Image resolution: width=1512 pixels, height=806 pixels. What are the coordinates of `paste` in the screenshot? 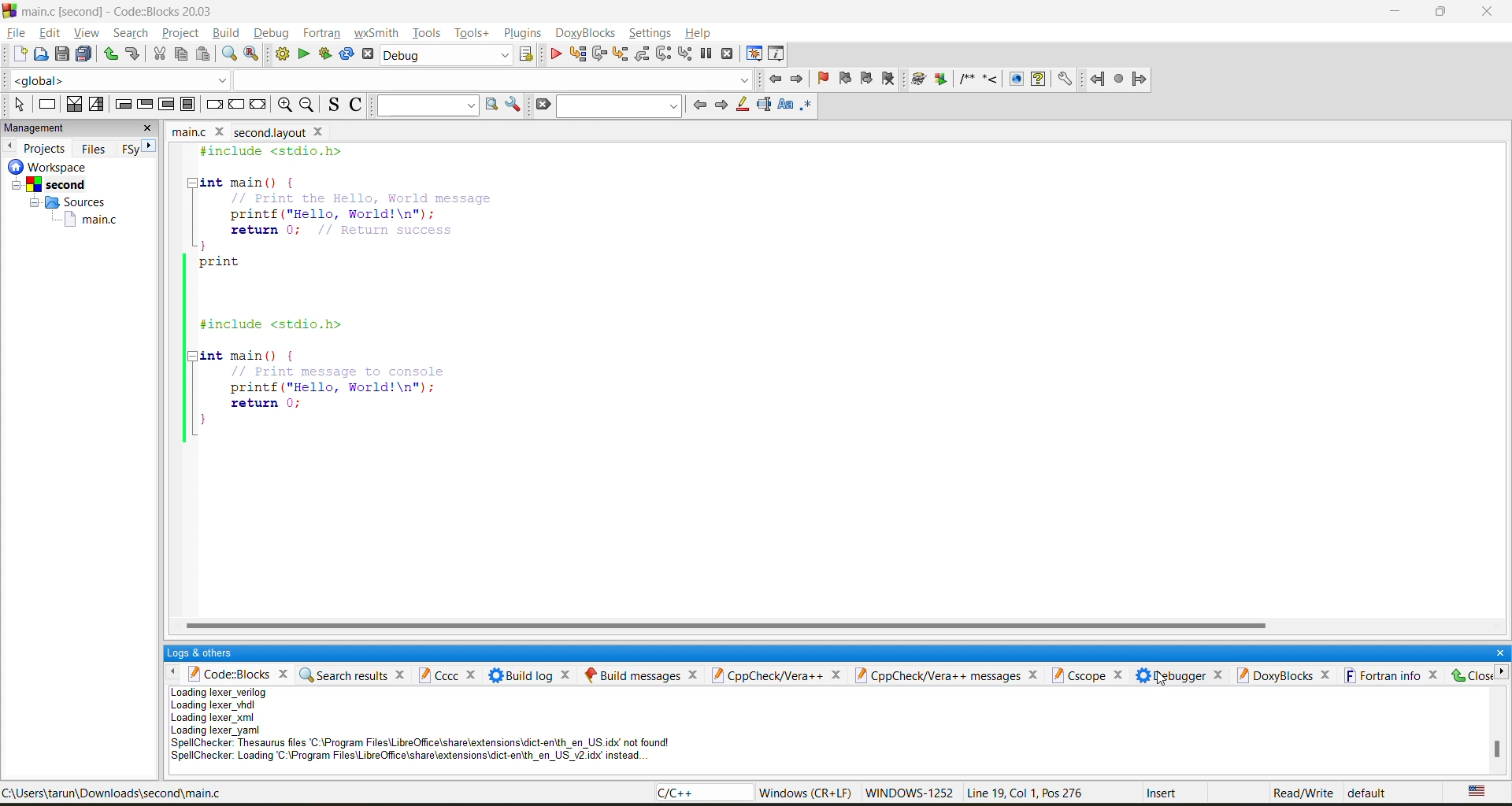 It's located at (202, 57).